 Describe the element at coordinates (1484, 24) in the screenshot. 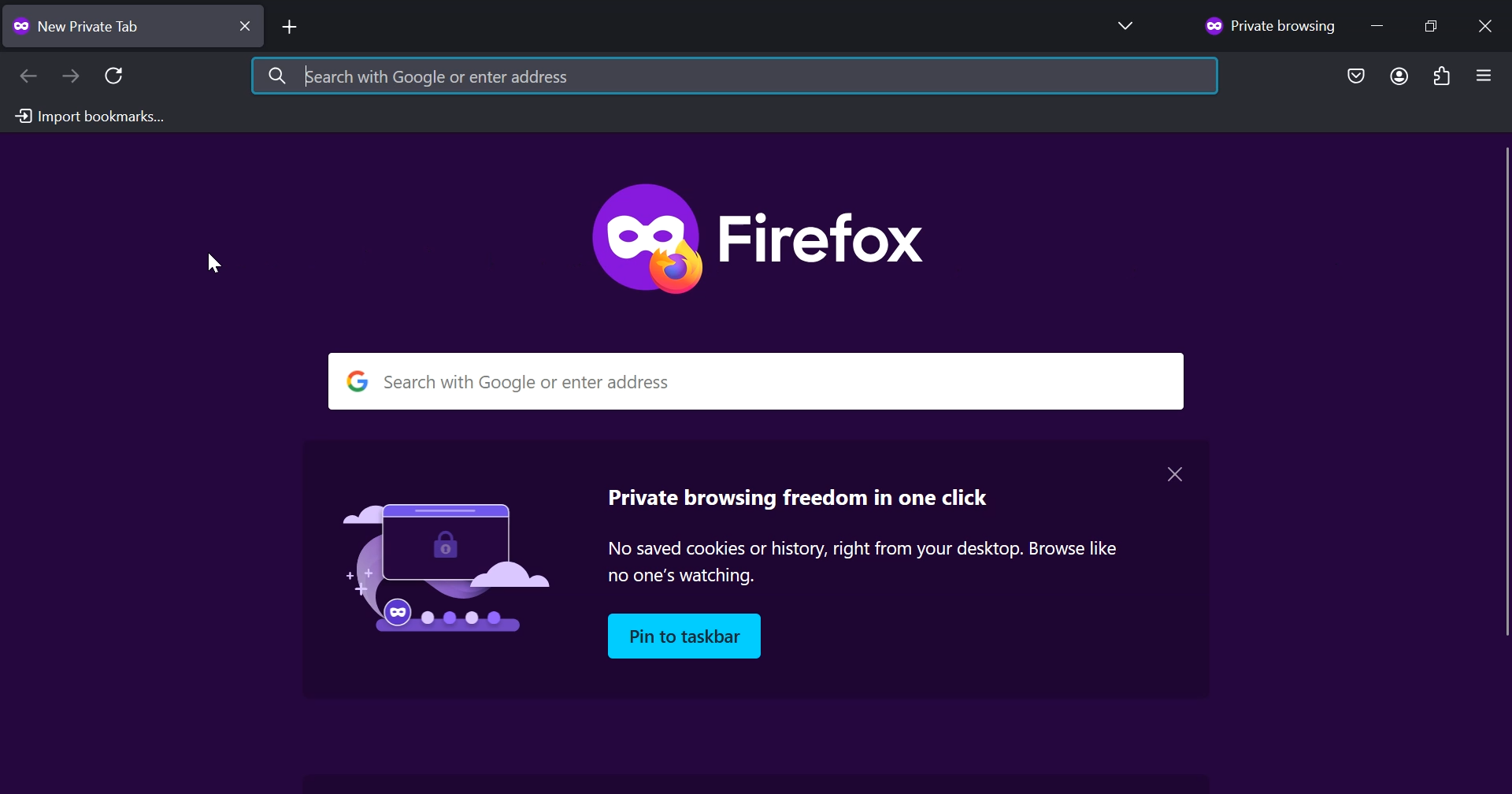

I see `Close` at that location.